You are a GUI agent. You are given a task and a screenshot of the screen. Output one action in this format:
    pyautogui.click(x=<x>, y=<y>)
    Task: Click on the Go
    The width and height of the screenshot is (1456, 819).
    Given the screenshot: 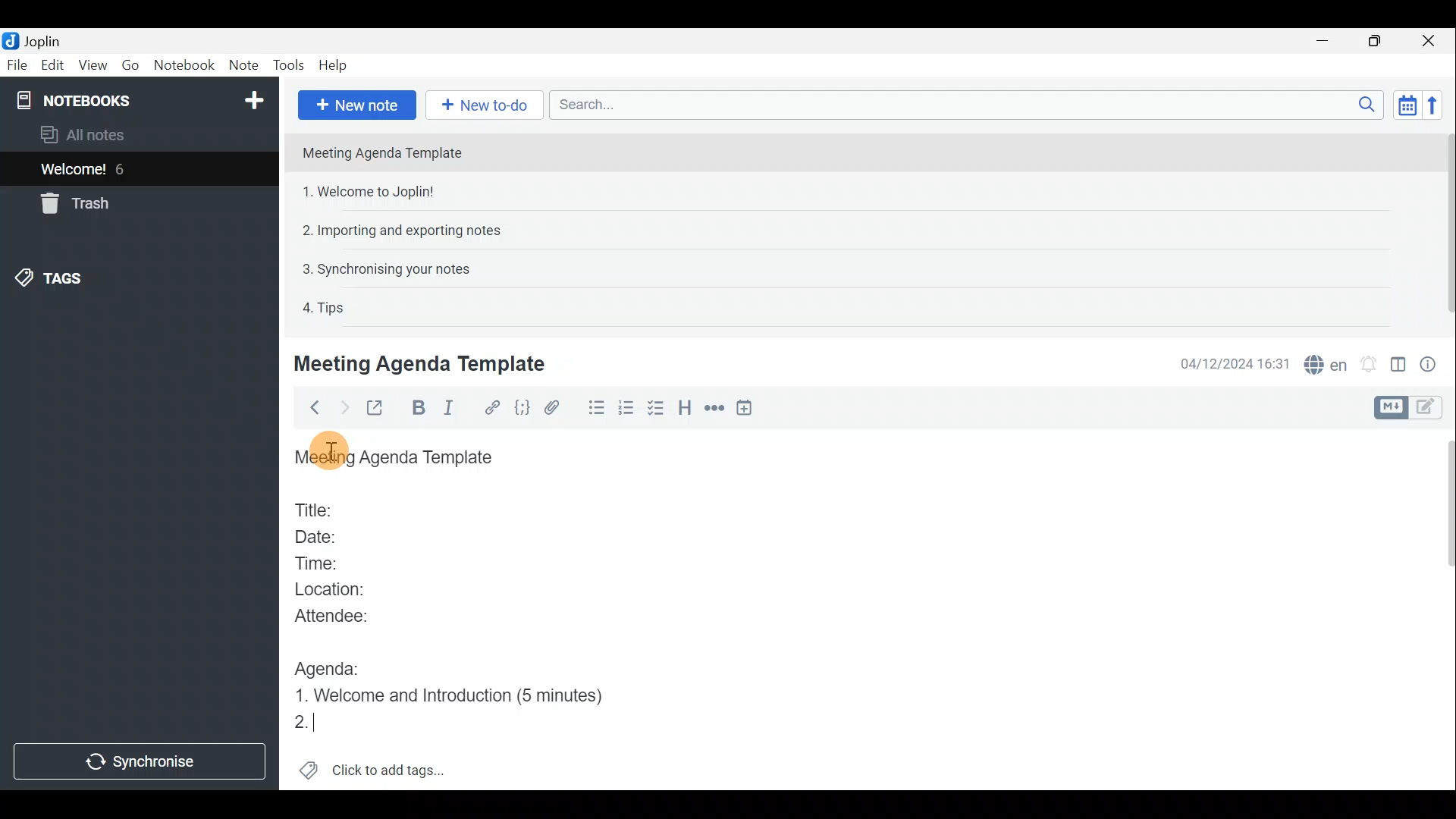 What is the action you would take?
    pyautogui.click(x=129, y=64)
    